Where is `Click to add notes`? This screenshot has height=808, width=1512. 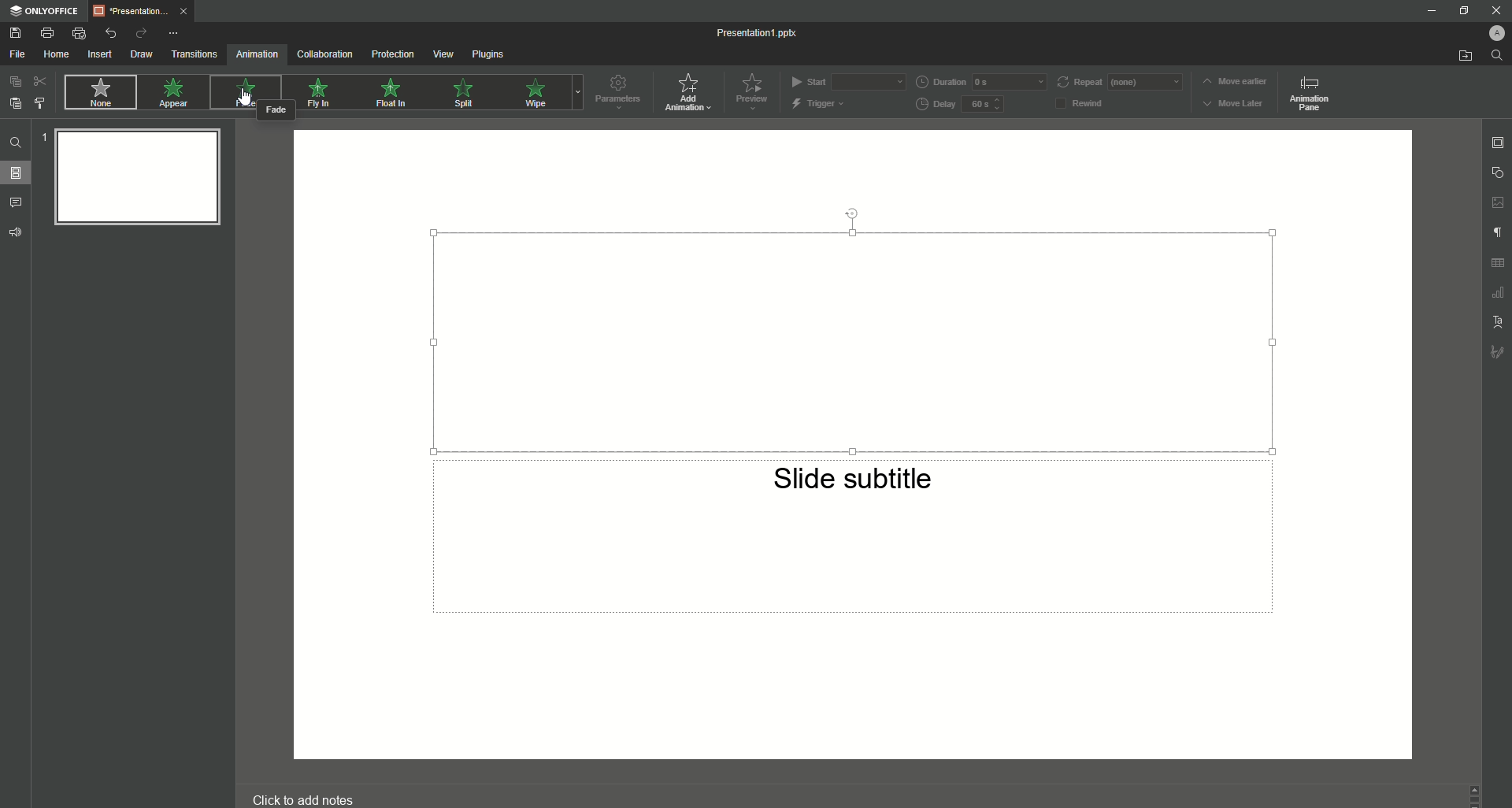
Click to add notes is located at coordinates (307, 799).